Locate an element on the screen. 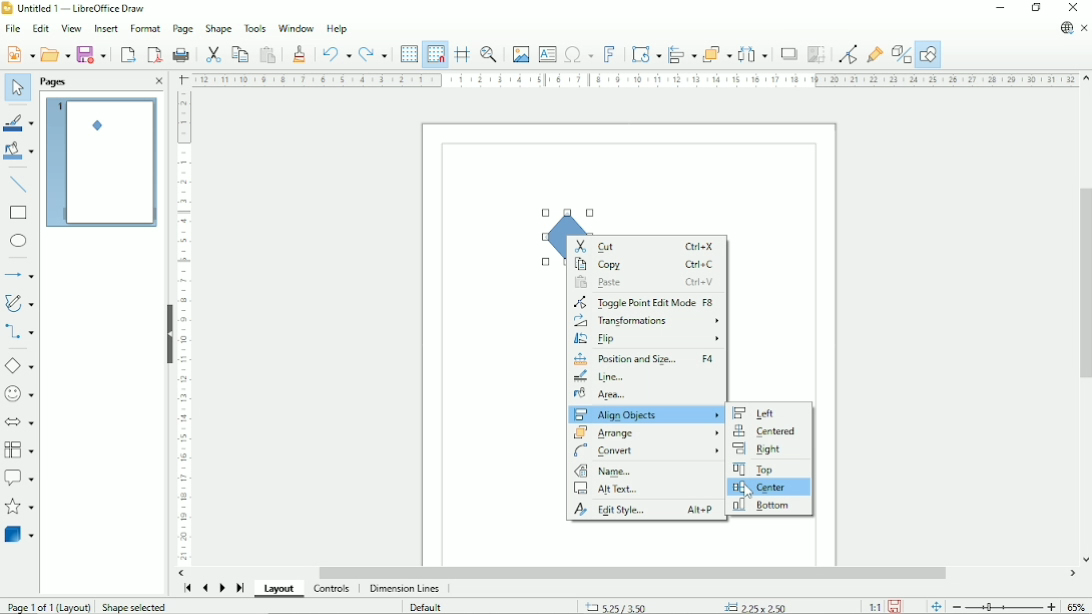  Toggle extrusion is located at coordinates (900, 54).